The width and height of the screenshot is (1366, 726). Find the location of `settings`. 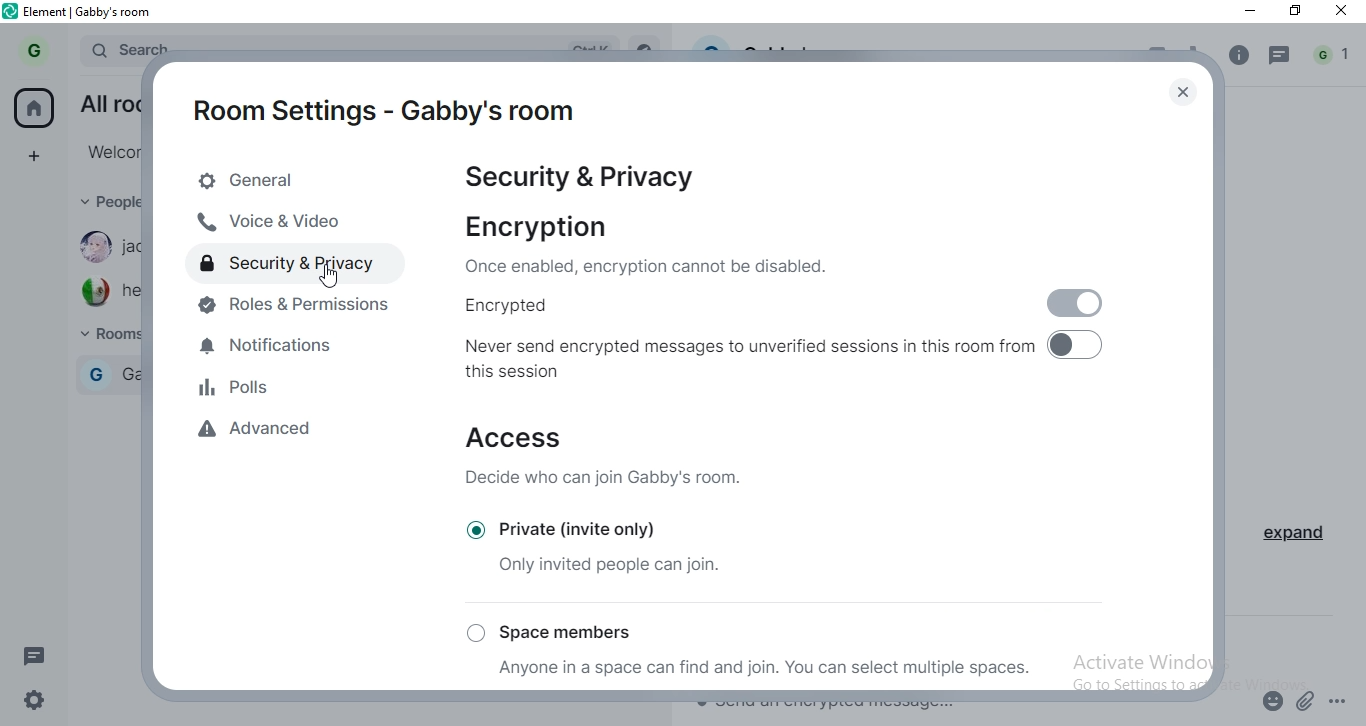

settings is located at coordinates (40, 697).